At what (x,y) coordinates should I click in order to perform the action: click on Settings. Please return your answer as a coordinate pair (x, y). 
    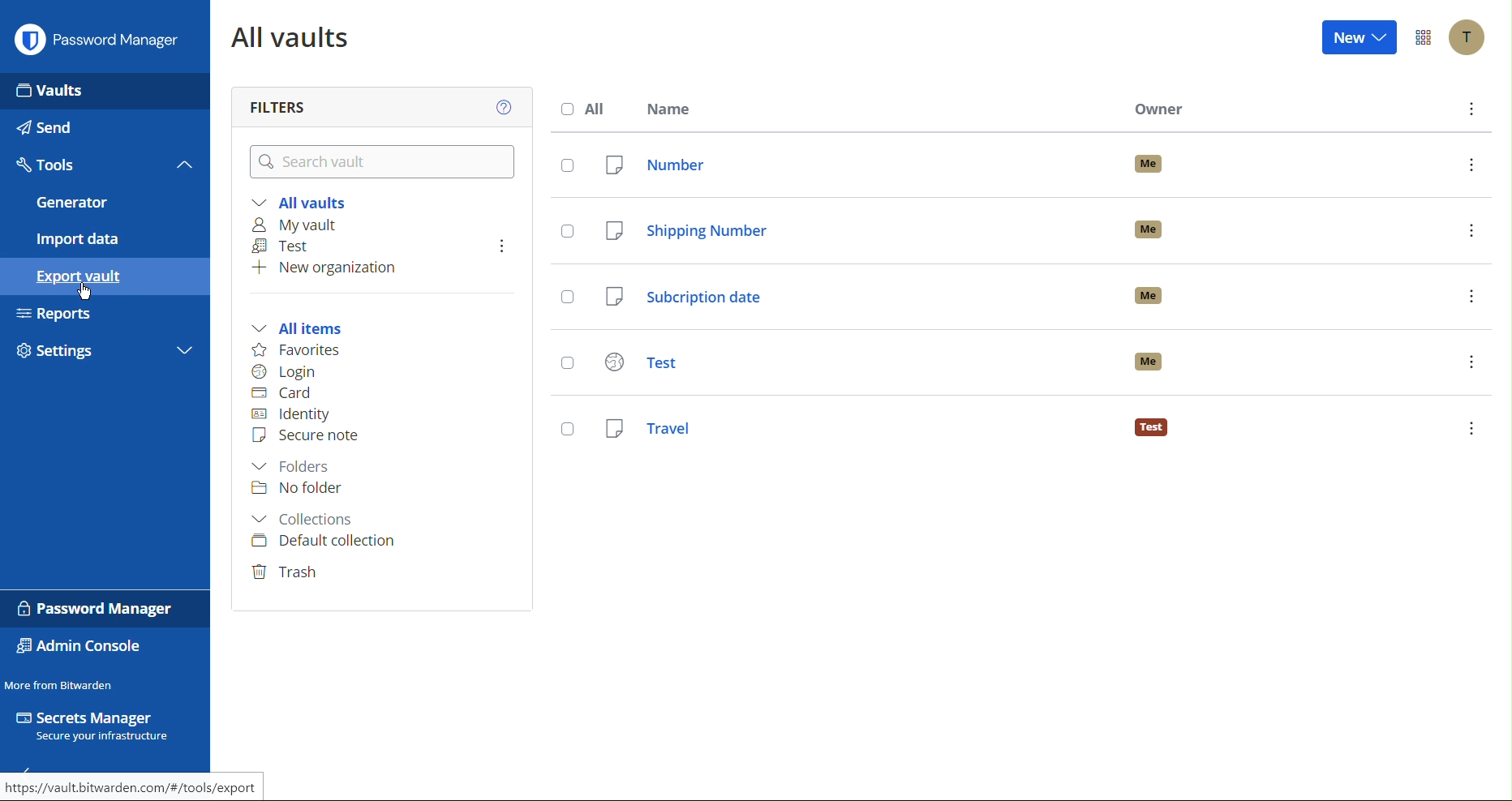
    Looking at the image, I should click on (108, 351).